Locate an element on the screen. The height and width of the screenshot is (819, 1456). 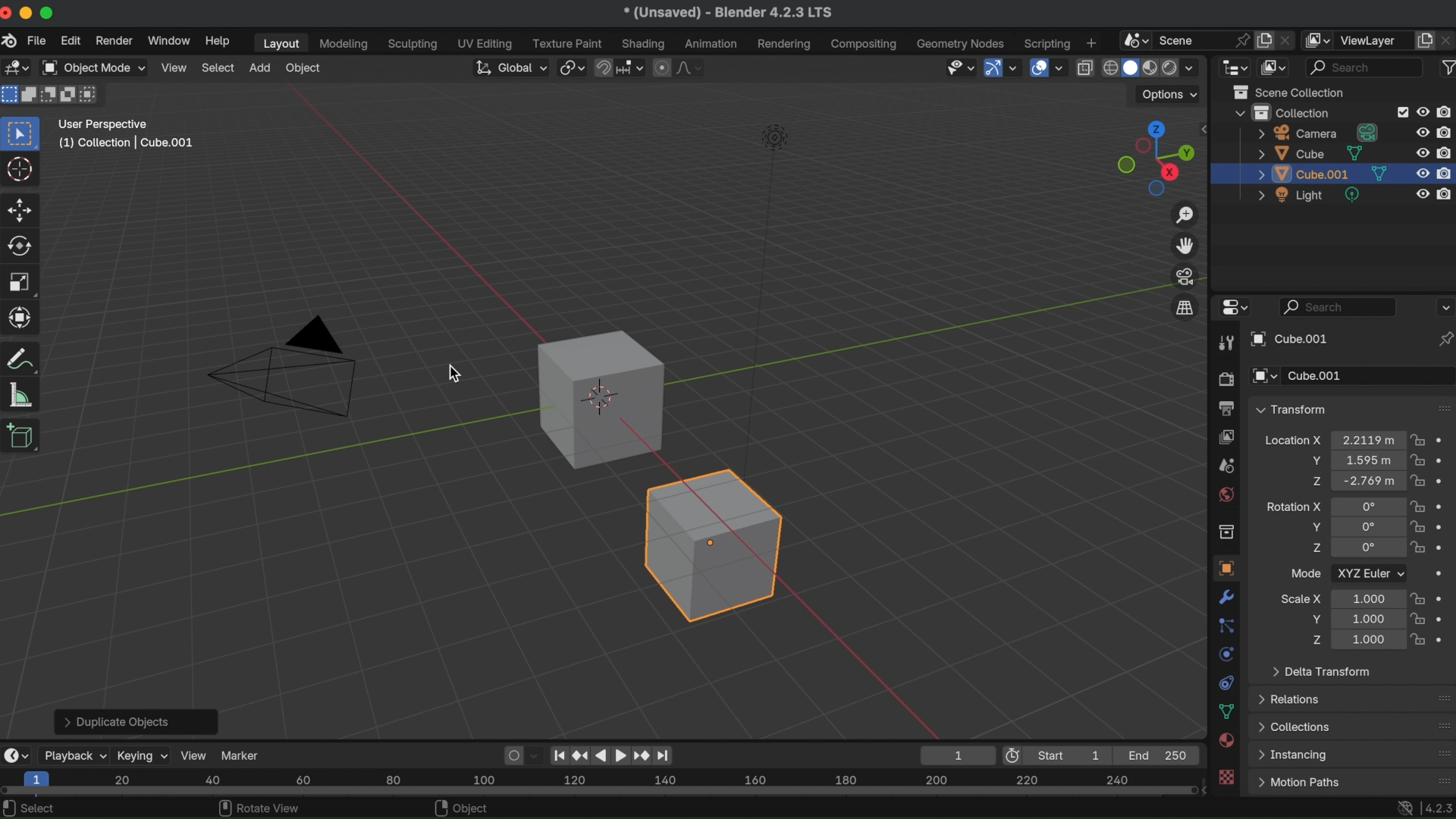
cube is located at coordinates (600, 398).